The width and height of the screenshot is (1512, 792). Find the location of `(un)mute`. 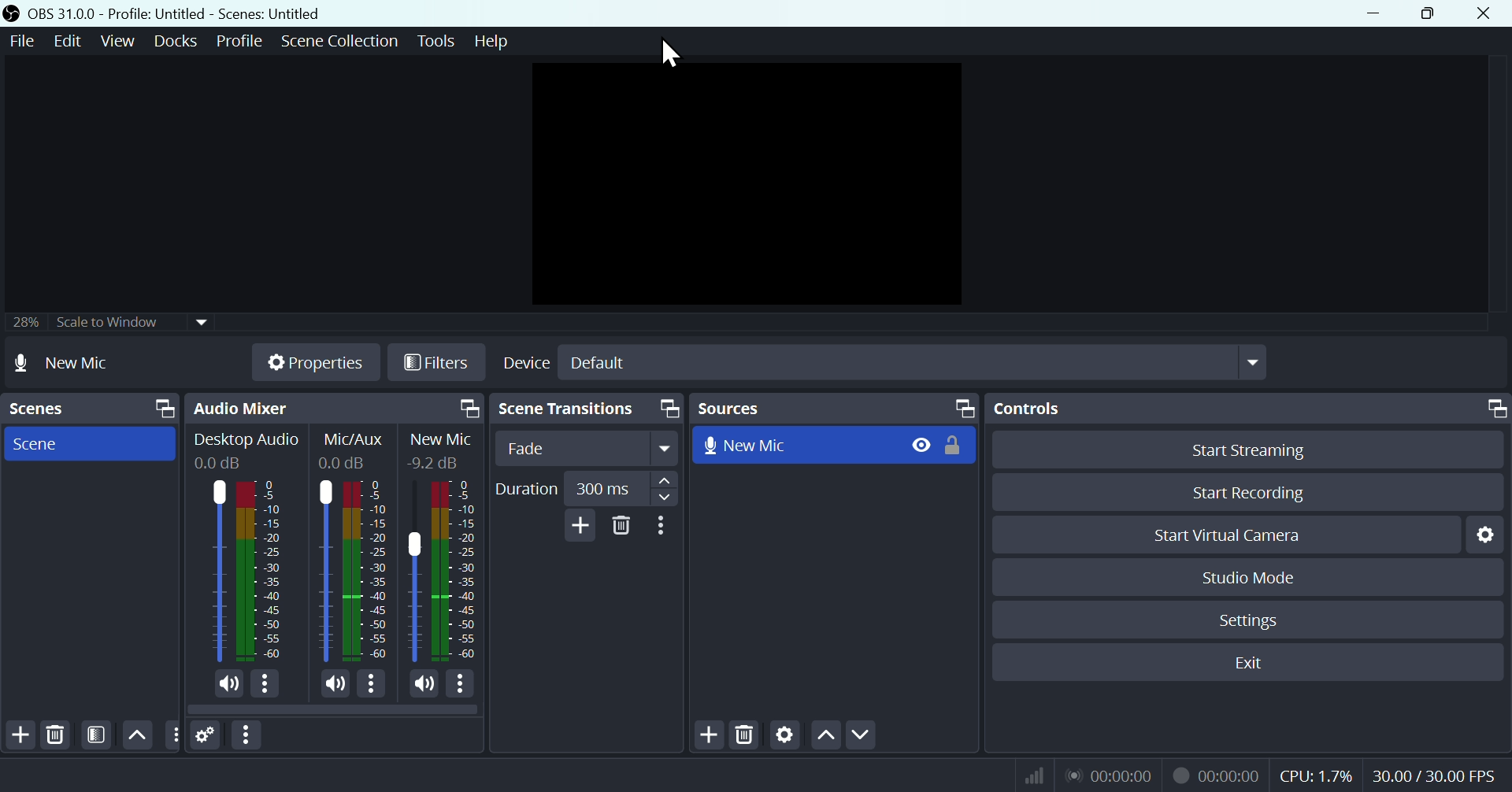

(un)mute is located at coordinates (422, 684).